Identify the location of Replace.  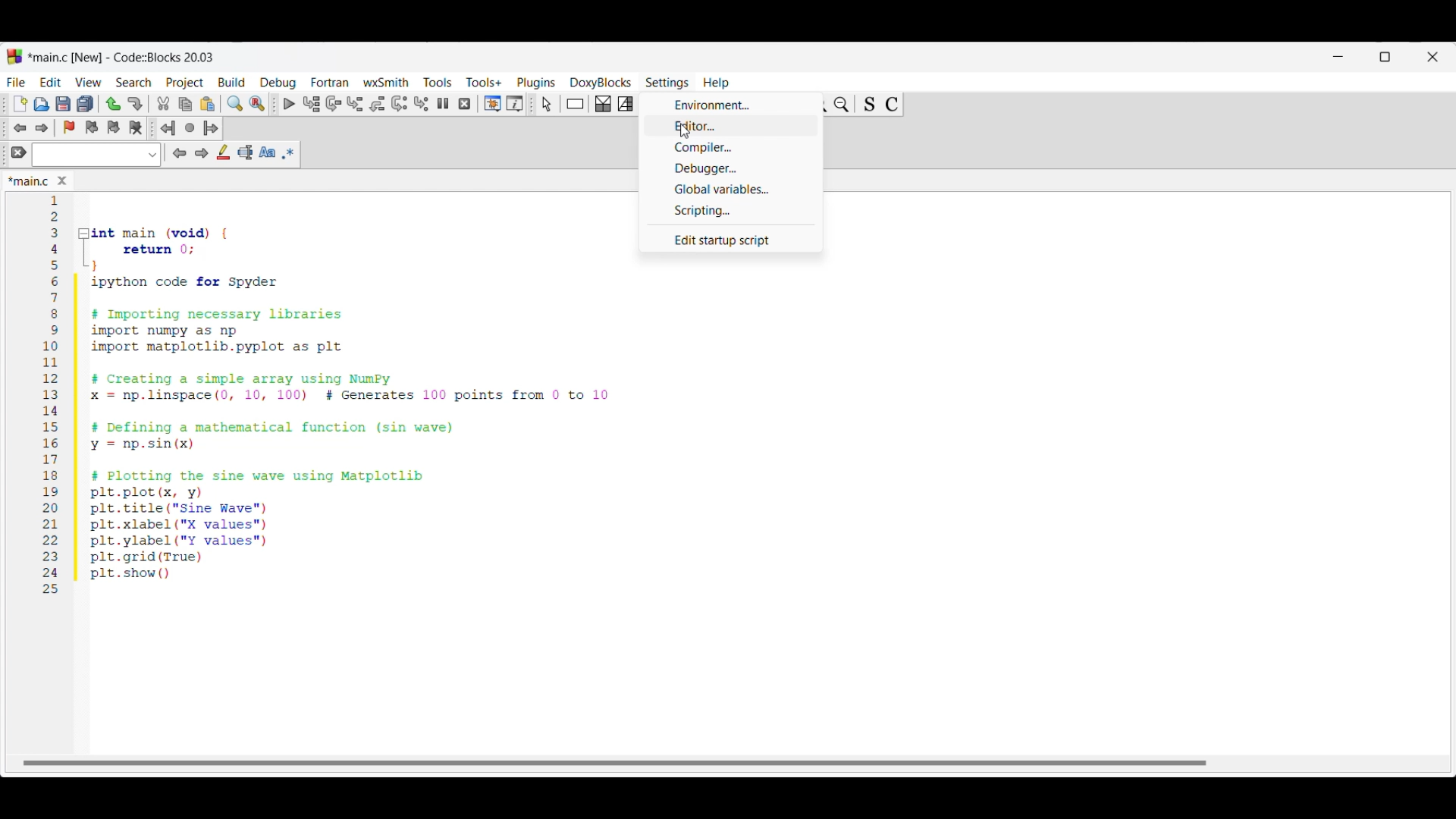
(257, 104).